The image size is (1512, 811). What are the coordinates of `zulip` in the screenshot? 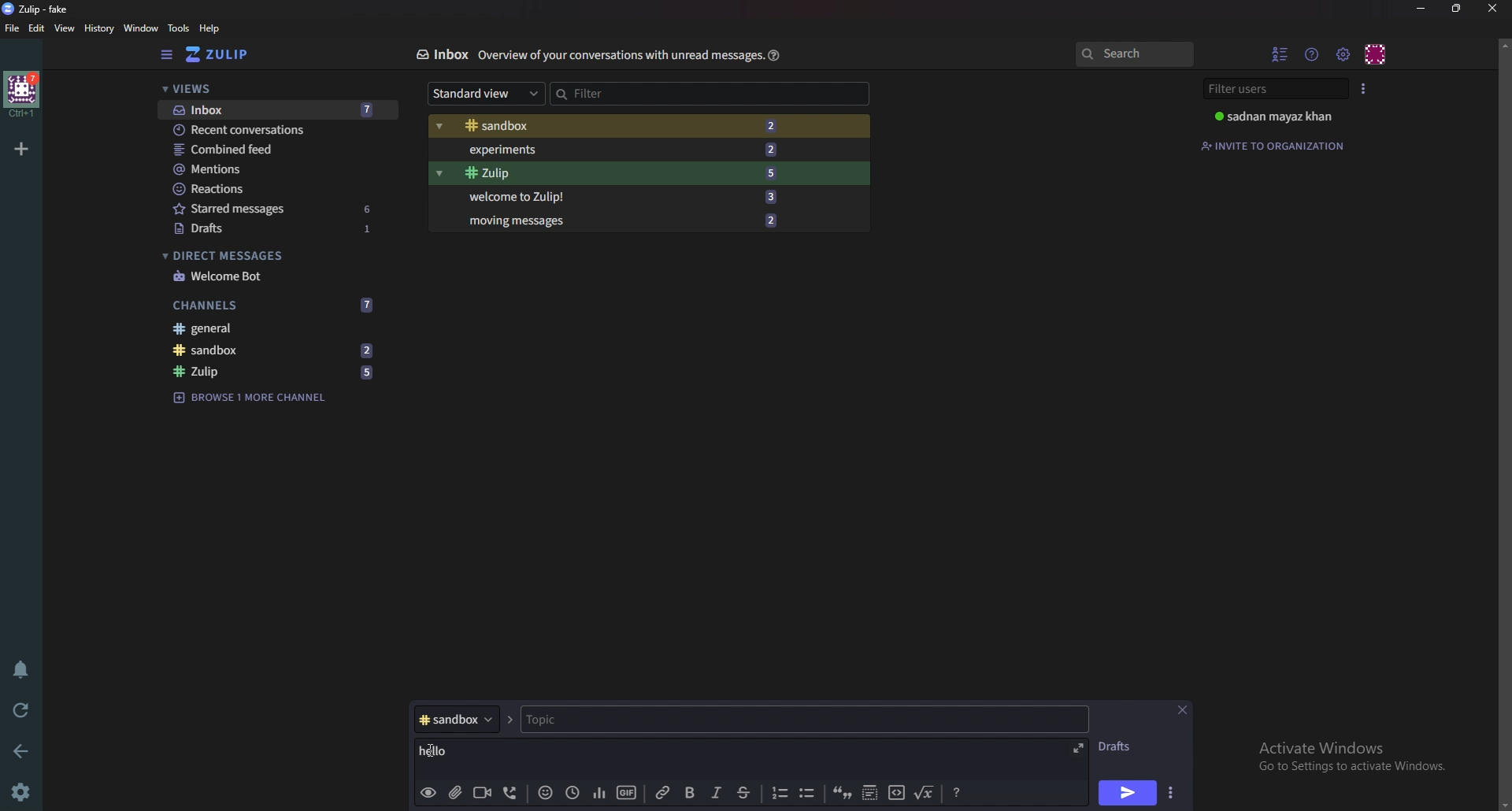 It's located at (226, 55).